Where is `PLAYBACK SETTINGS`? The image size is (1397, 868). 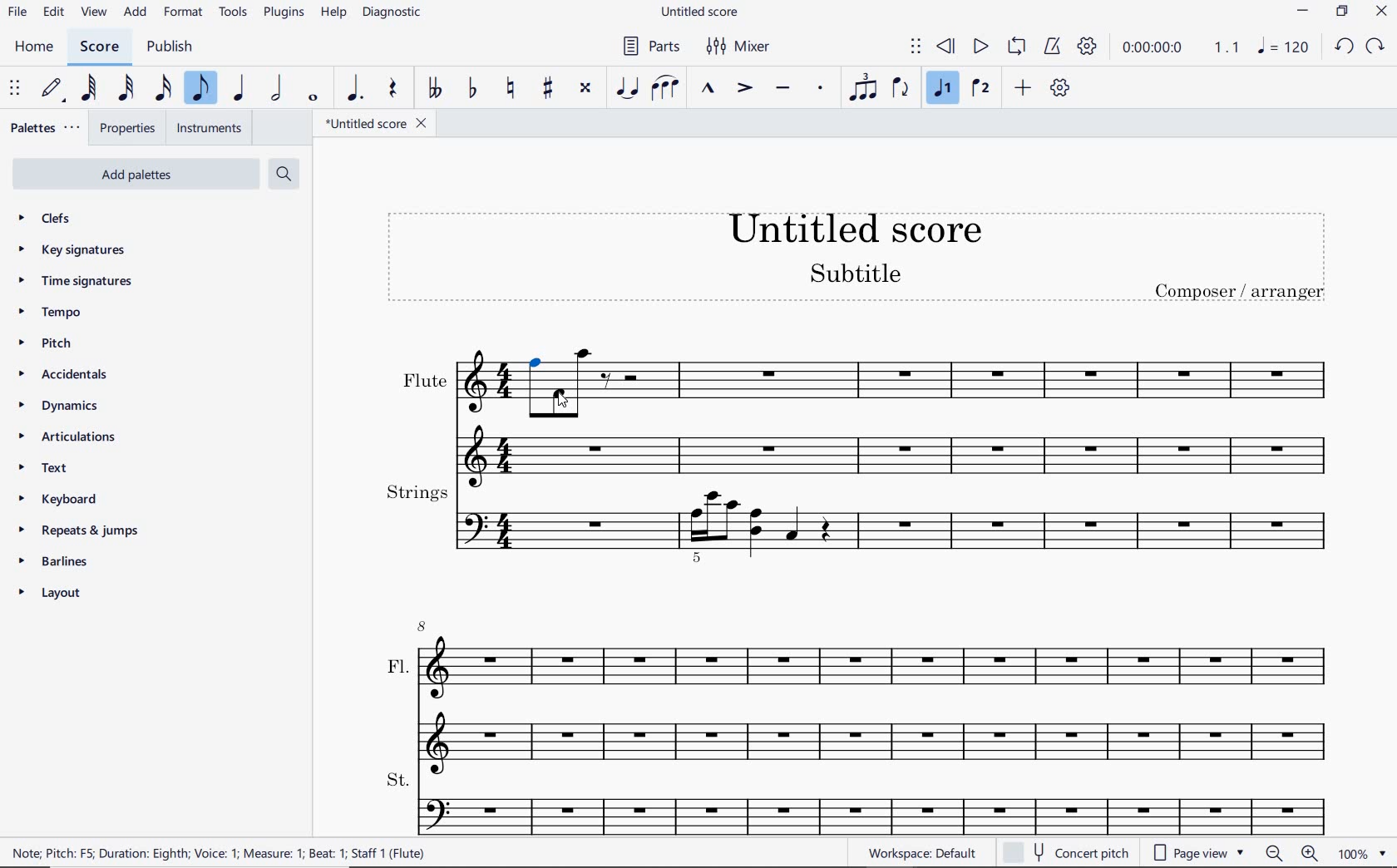
PLAYBACK SETTINGS is located at coordinates (1087, 46).